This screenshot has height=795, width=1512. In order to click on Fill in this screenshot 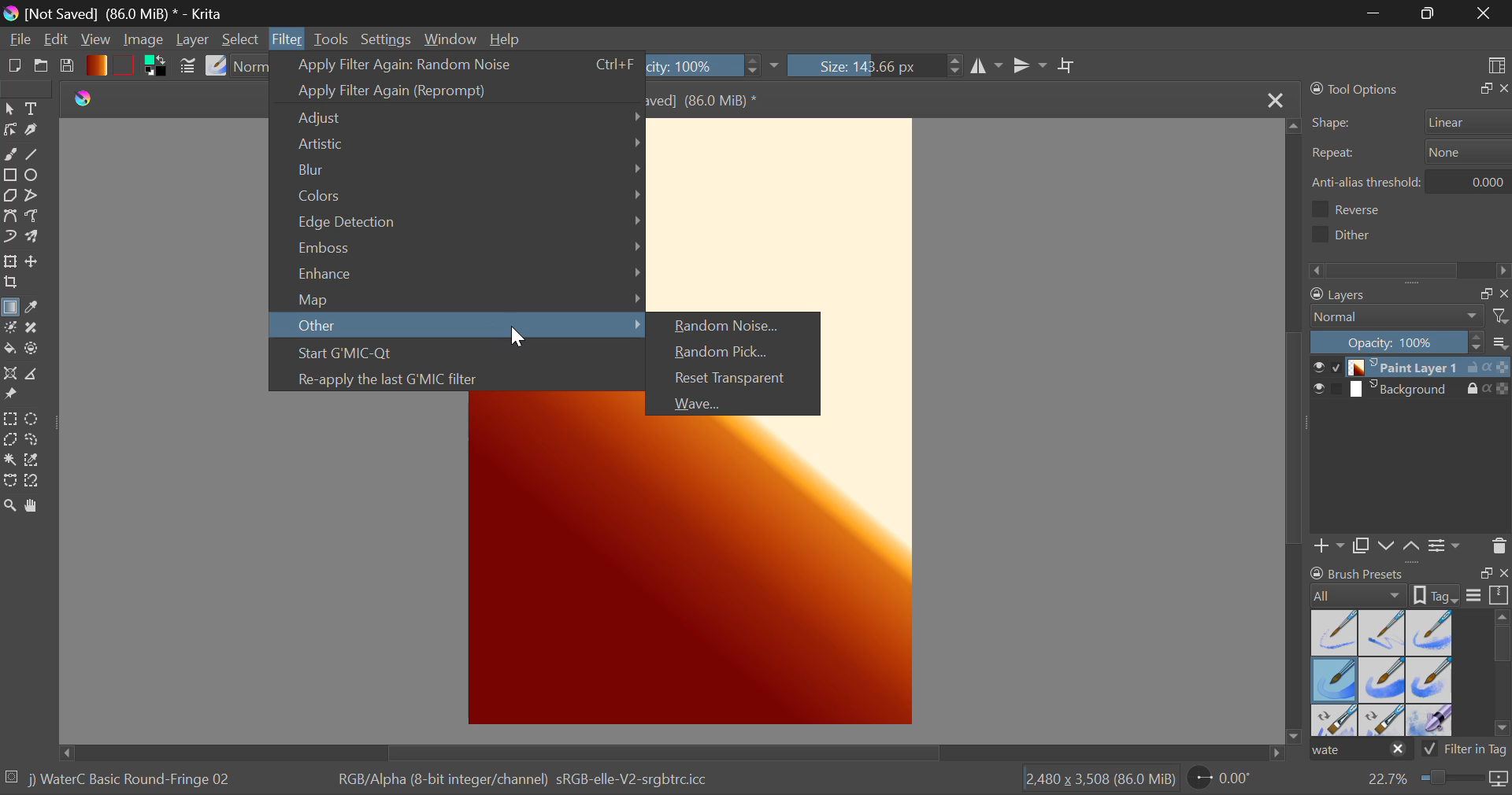, I will do `click(11, 349)`.